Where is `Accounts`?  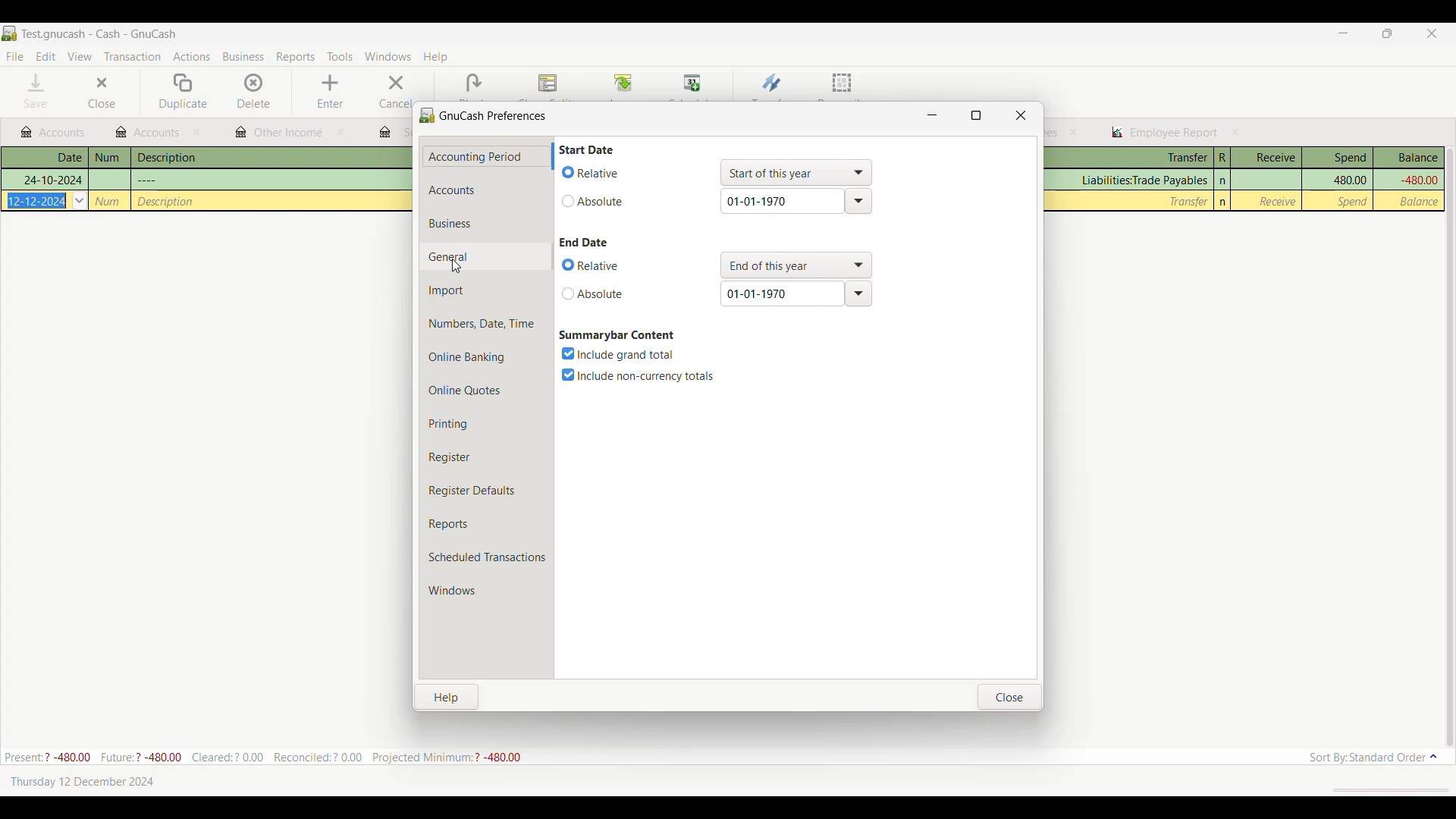 Accounts is located at coordinates (487, 190).